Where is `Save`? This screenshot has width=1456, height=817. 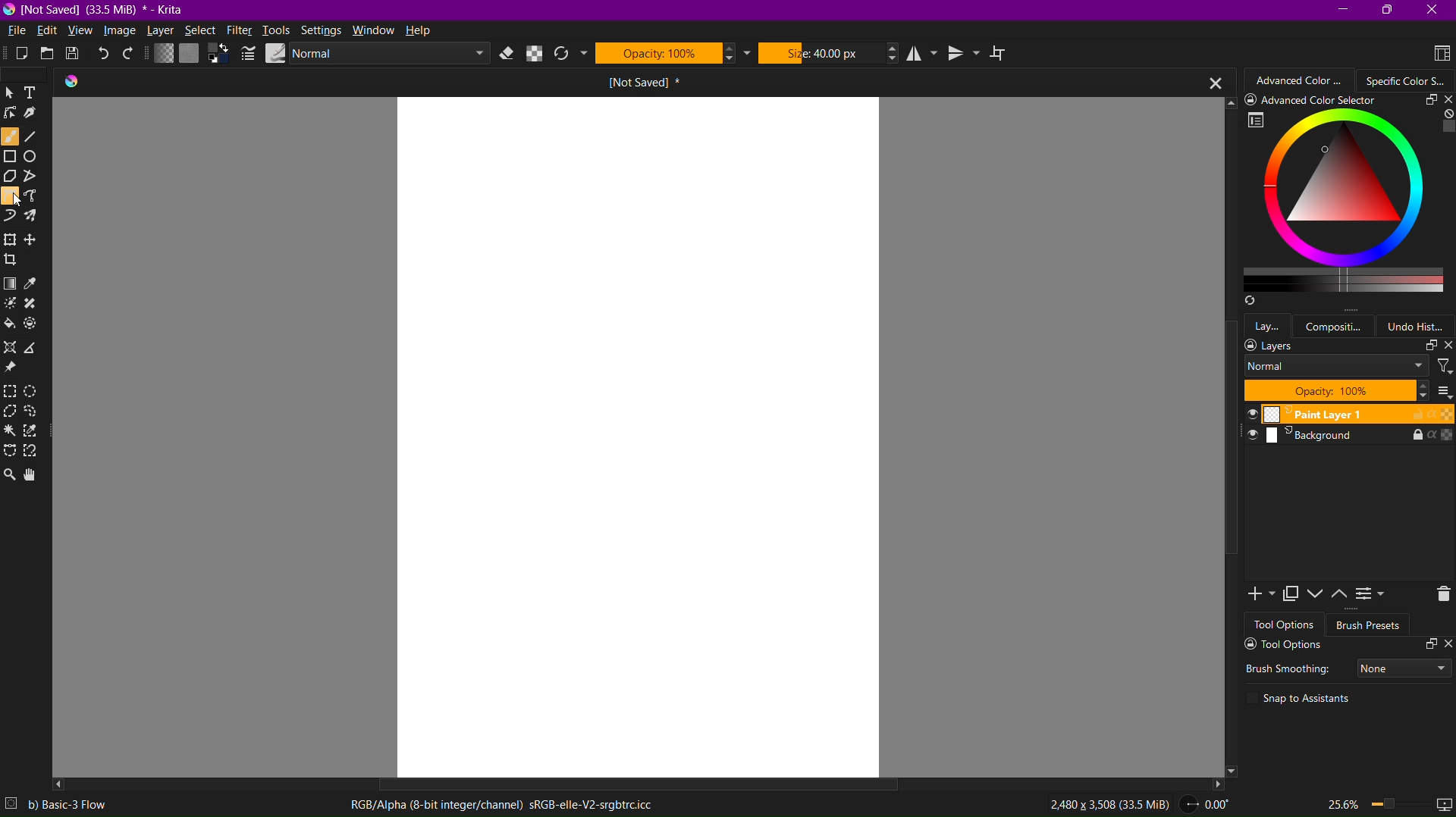
Save is located at coordinates (75, 55).